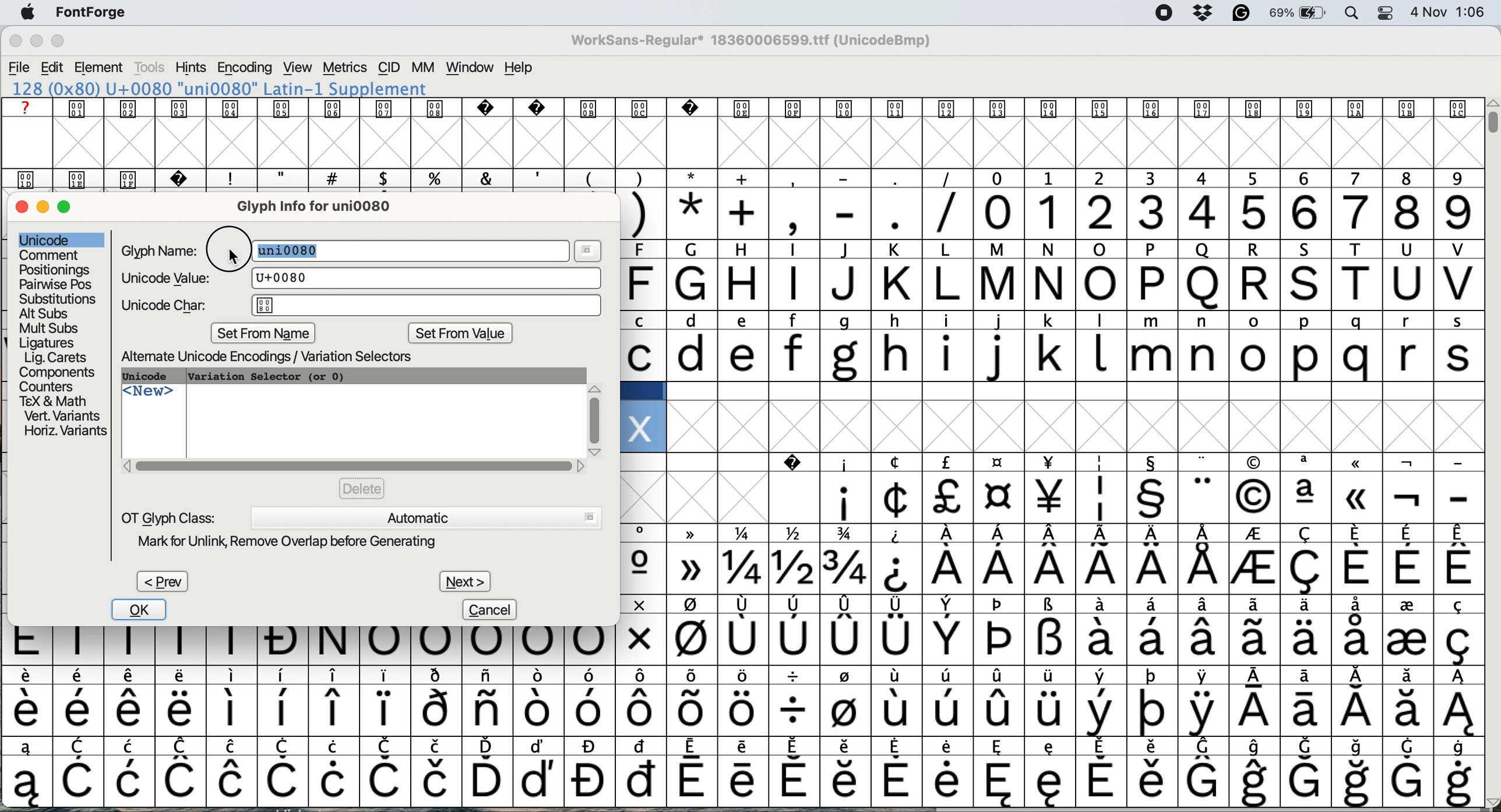 The width and height of the screenshot is (1501, 812). I want to click on positionings, so click(55, 270).